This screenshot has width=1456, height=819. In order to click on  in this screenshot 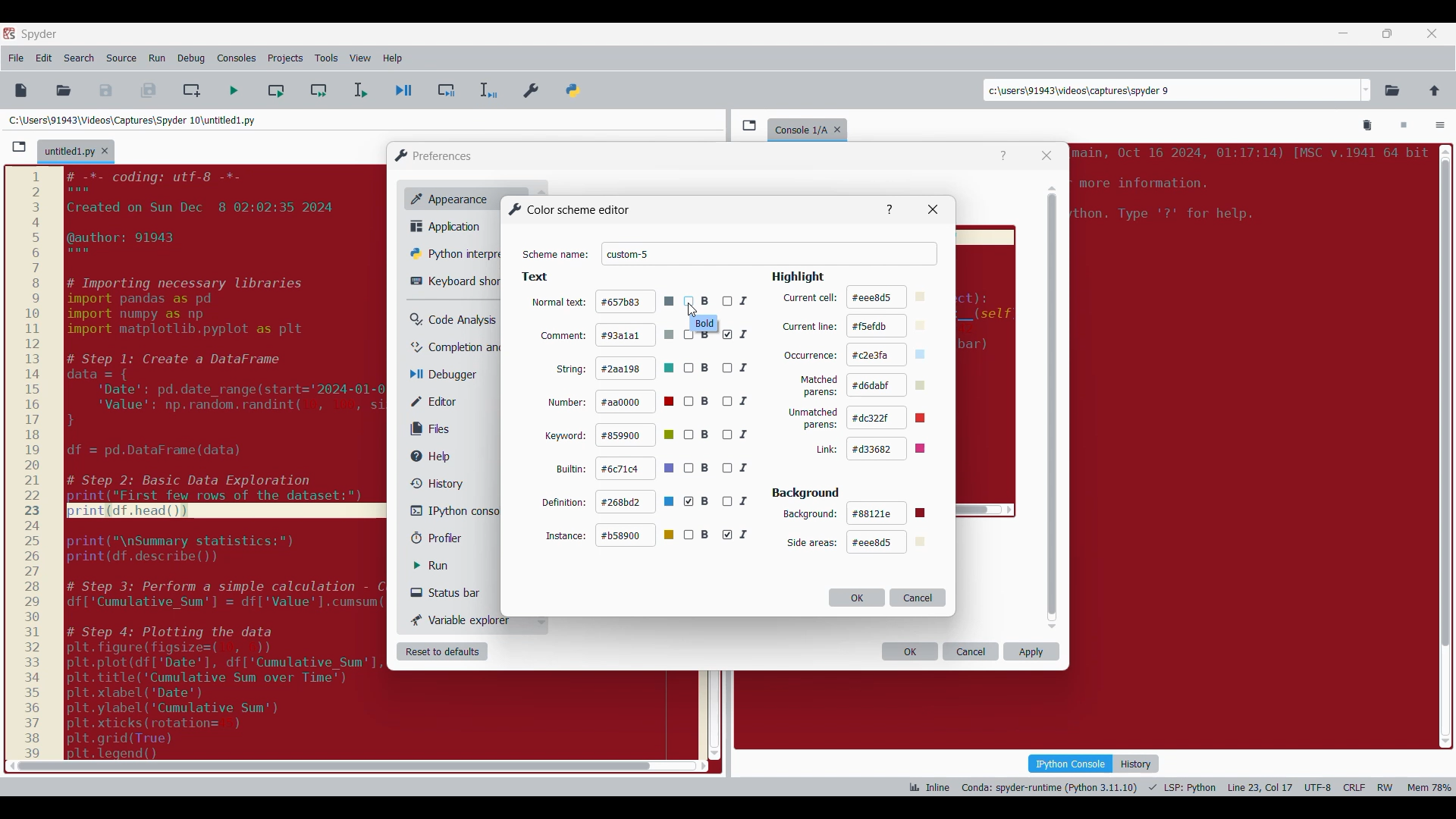, I will do `click(936, 209)`.